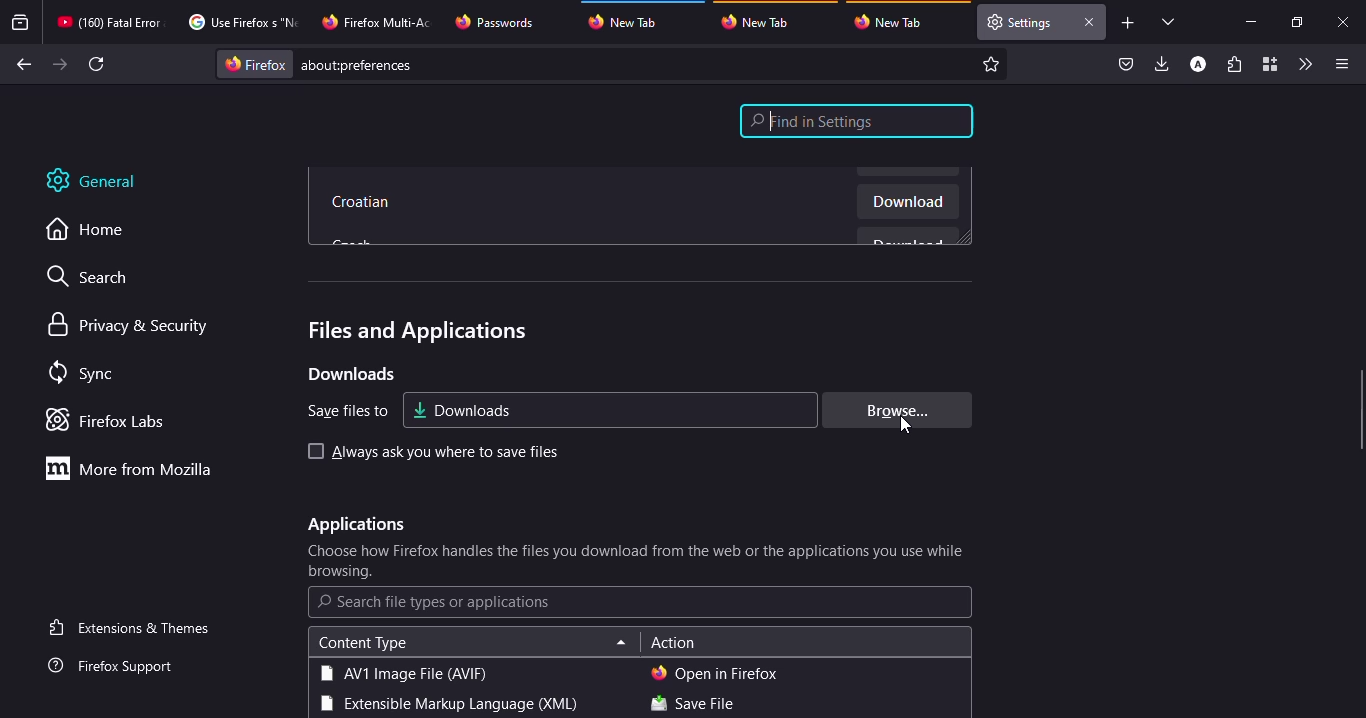 This screenshot has width=1366, height=718. What do you see at coordinates (1250, 21) in the screenshot?
I see `minimize` at bounding box center [1250, 21].